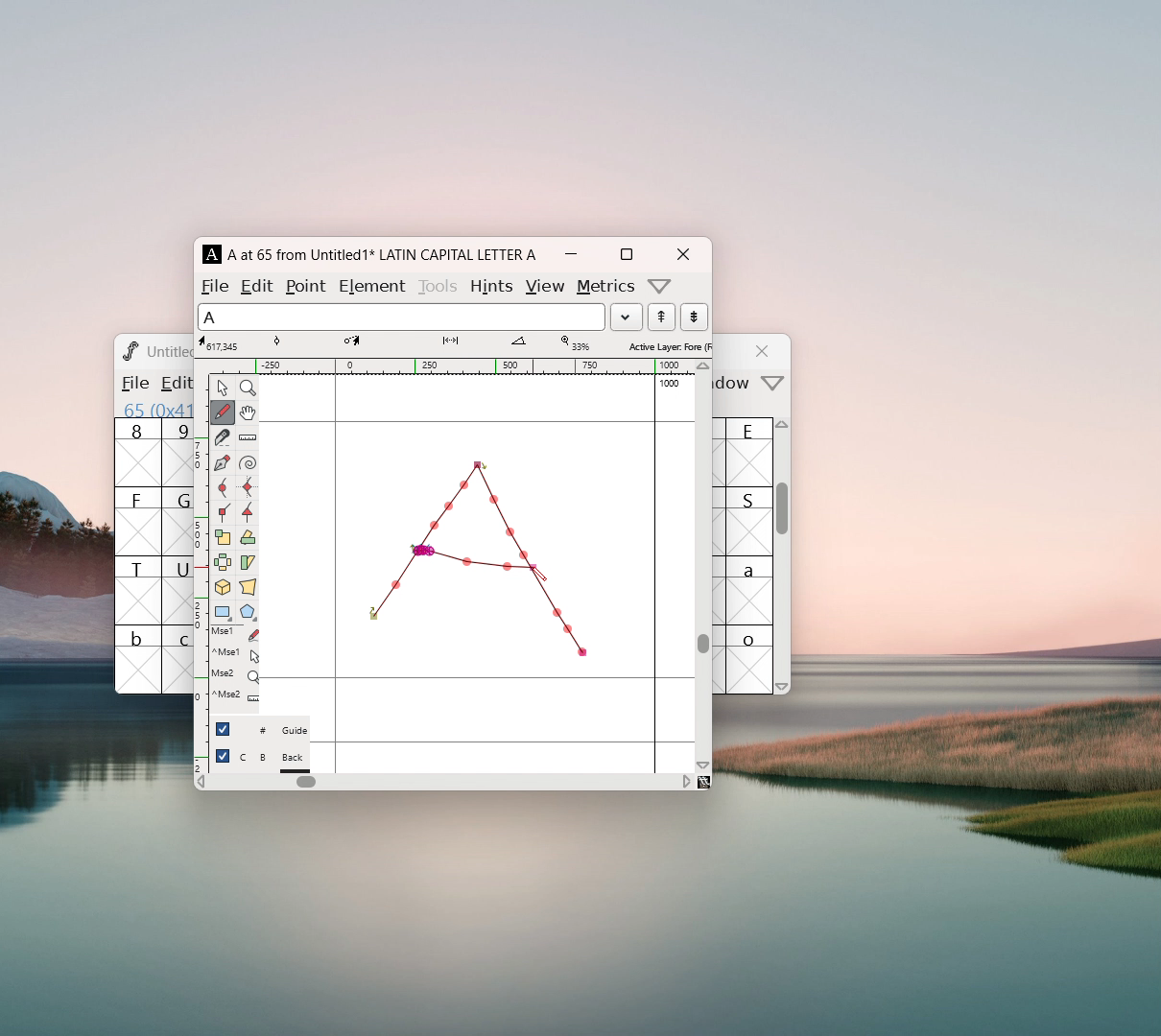 The width and height of the screenshot is (1161, 1036). I want to click on rotate the selection, so click(247, 539).